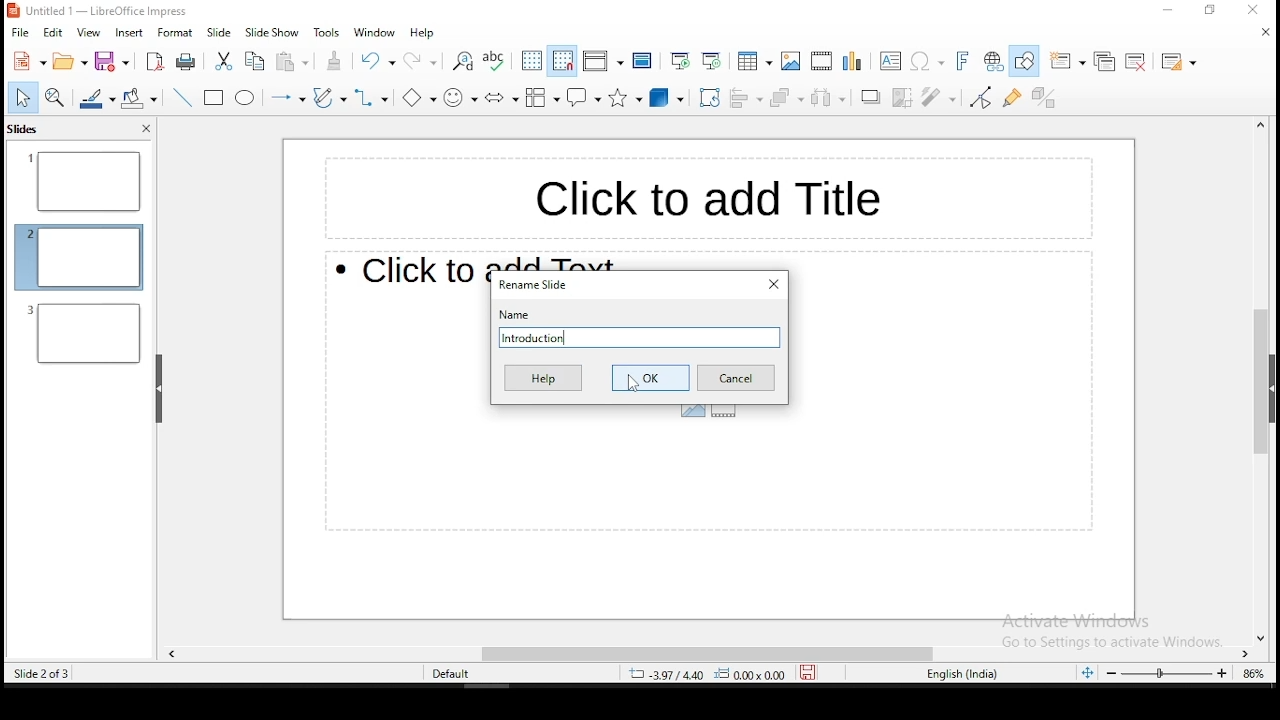 The width and height of the screenshot is (1280, 720). Describe the element at coordinates (532, 62) in the screenshot. I see `display grid` at that location.